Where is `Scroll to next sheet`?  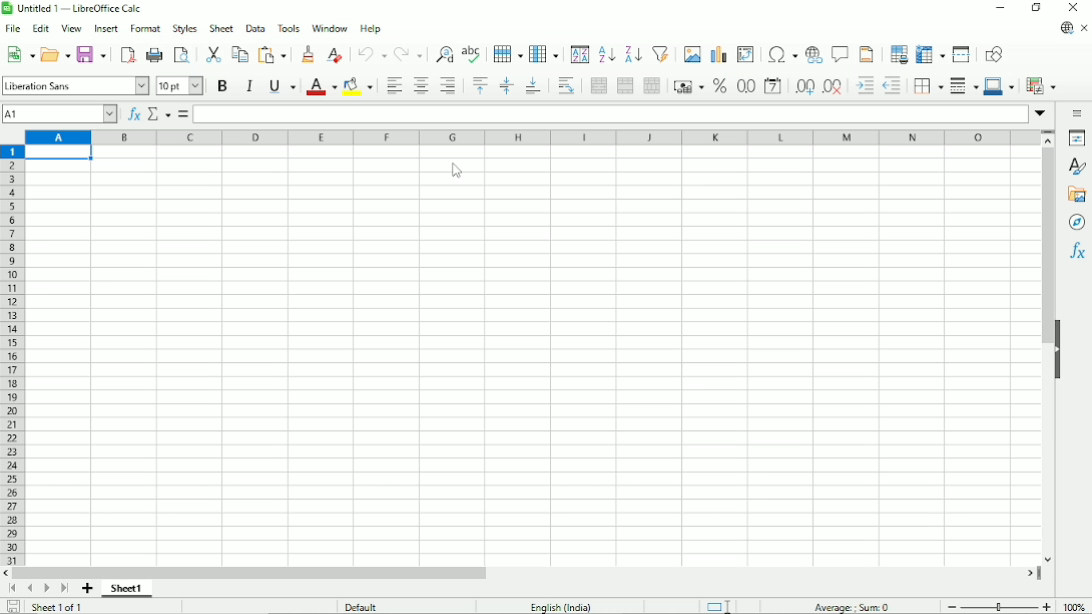 Scroll to next sheet is located at coordinates (44, 588).